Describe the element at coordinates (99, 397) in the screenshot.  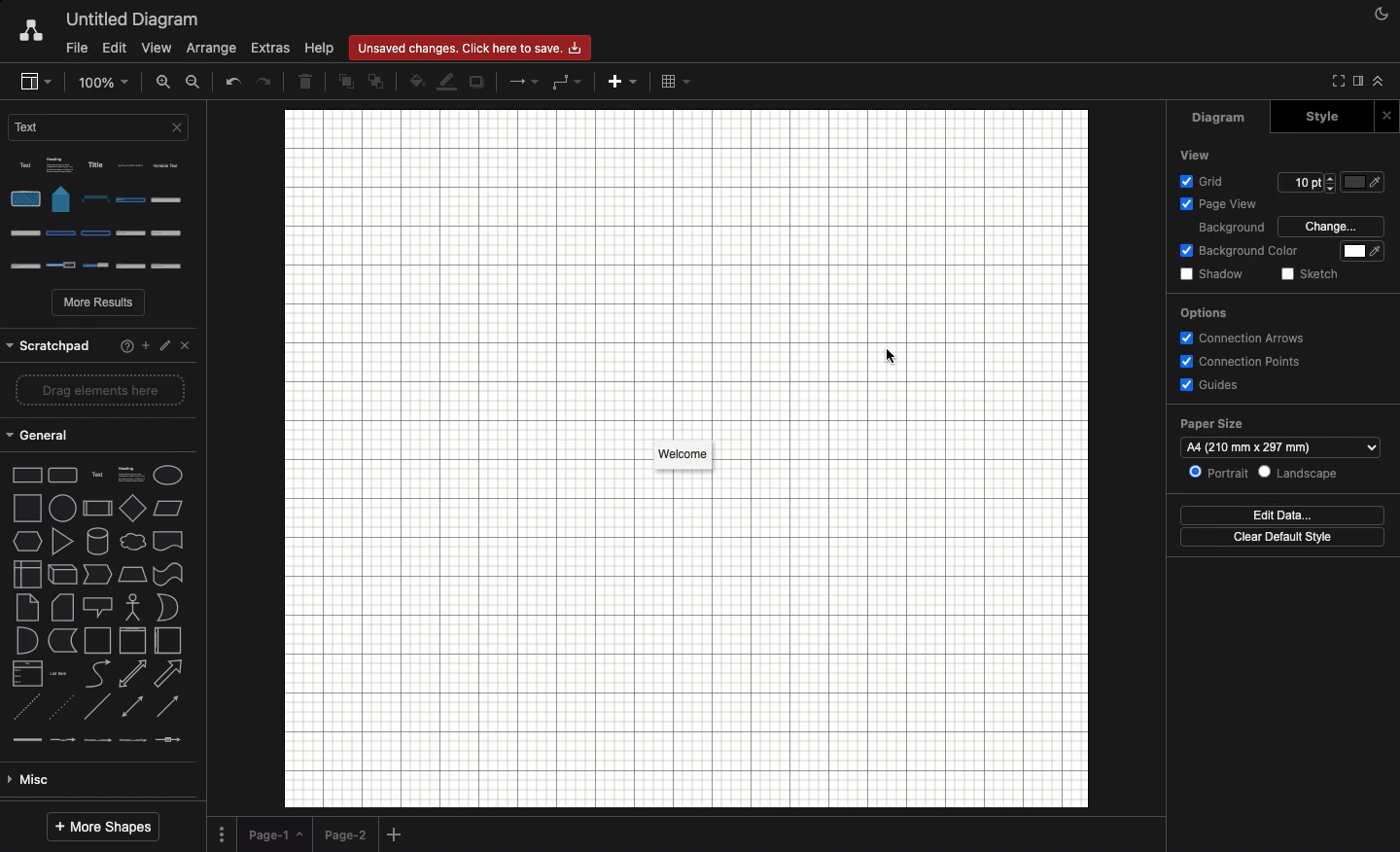
I see `2d shapes` at that location.